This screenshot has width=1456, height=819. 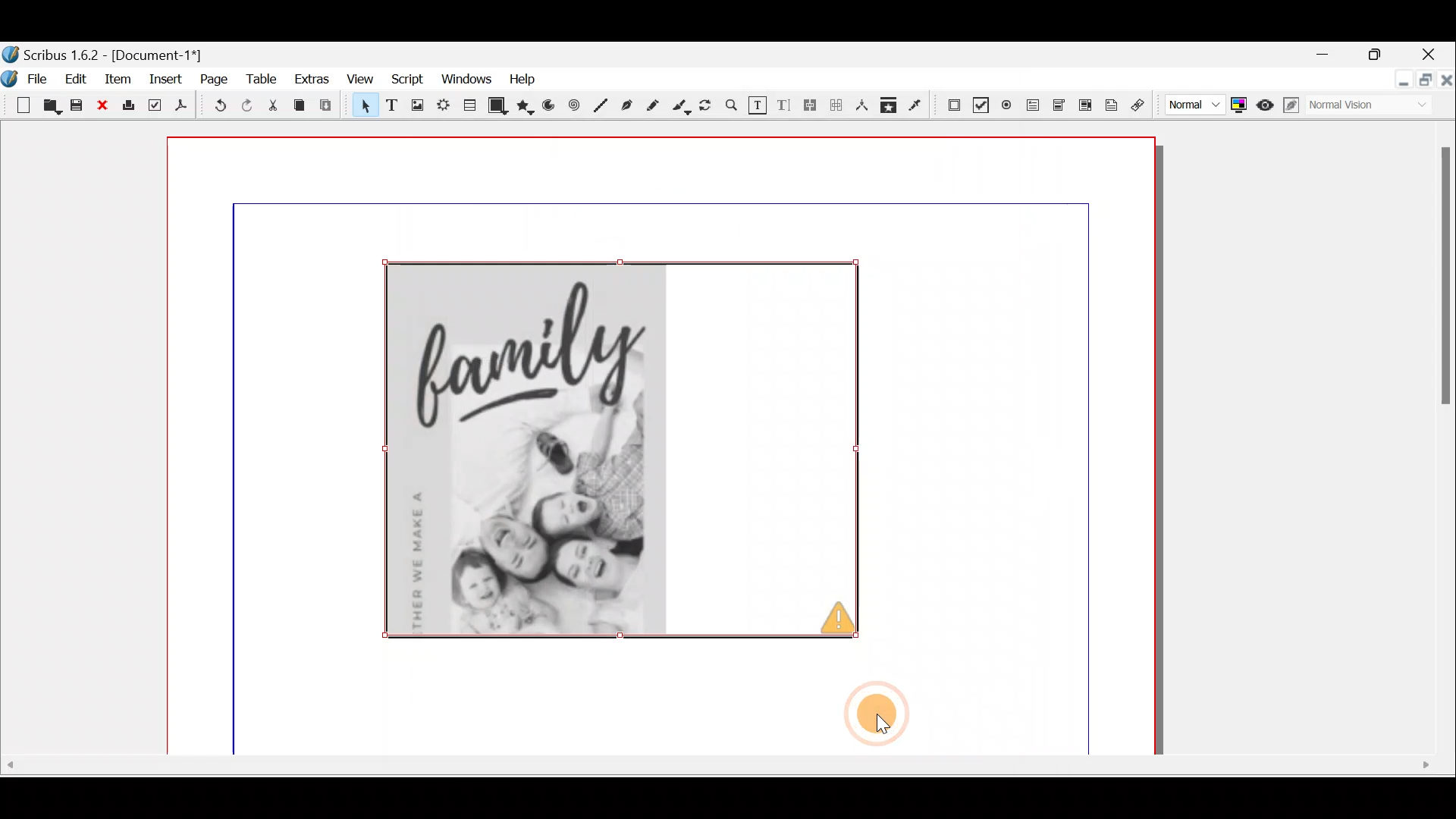 What do you see at coordinates (667, 408) in the screenshot?
I see `Canvas` at bounding box center [667, 408].